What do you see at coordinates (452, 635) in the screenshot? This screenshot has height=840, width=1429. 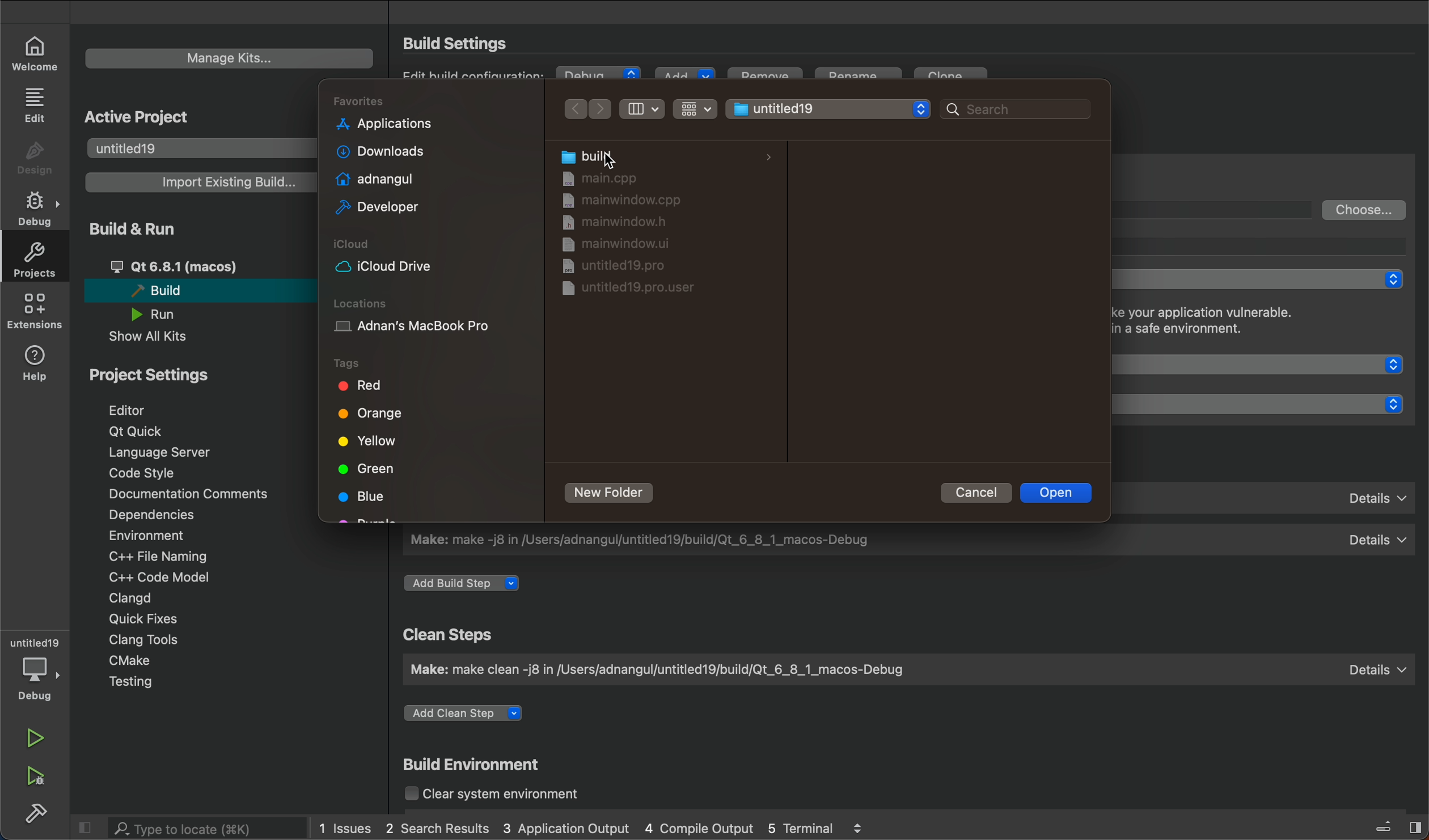 I see `clean steps` at bounding box center [452, 635].